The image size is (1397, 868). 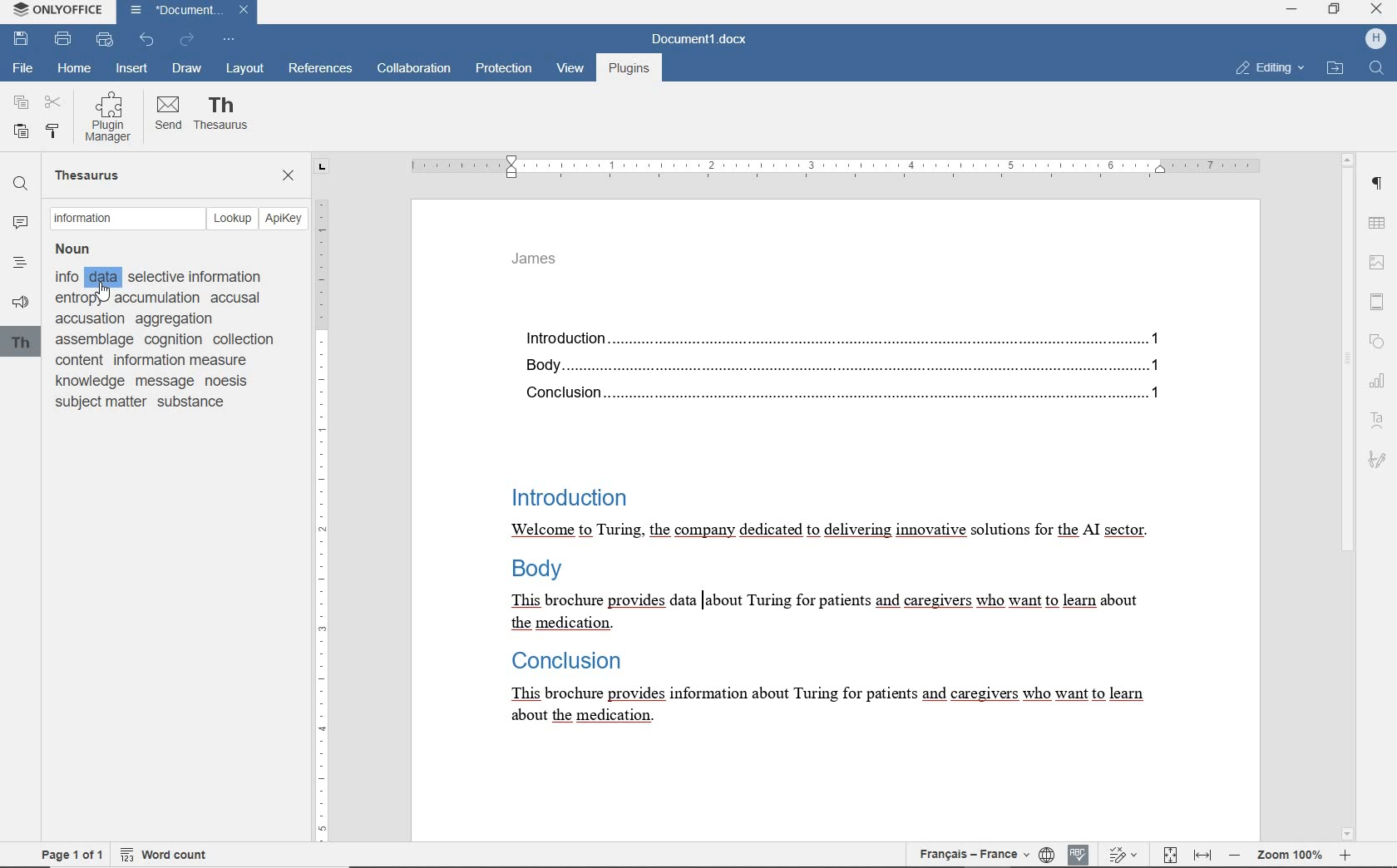 I want to click on TEXT ART, so click(x=1380, y=418).